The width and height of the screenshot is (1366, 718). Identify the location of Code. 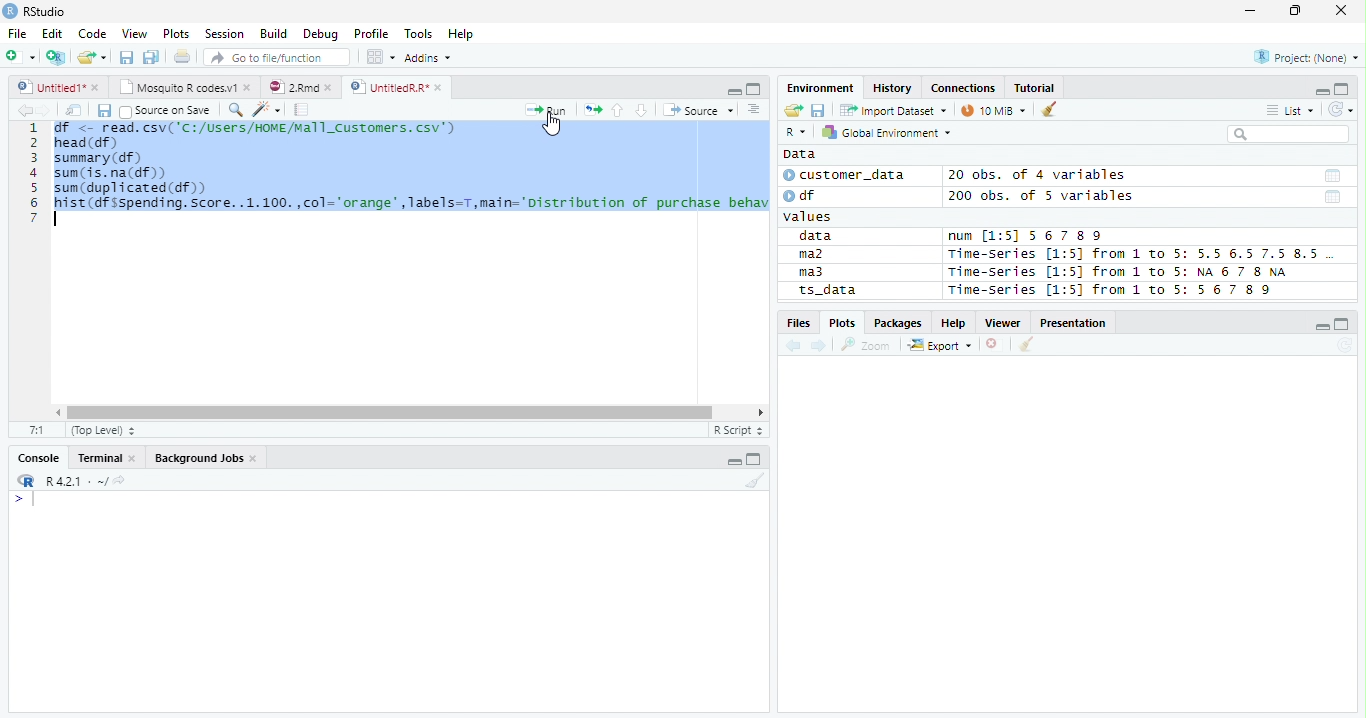
(94, 34).